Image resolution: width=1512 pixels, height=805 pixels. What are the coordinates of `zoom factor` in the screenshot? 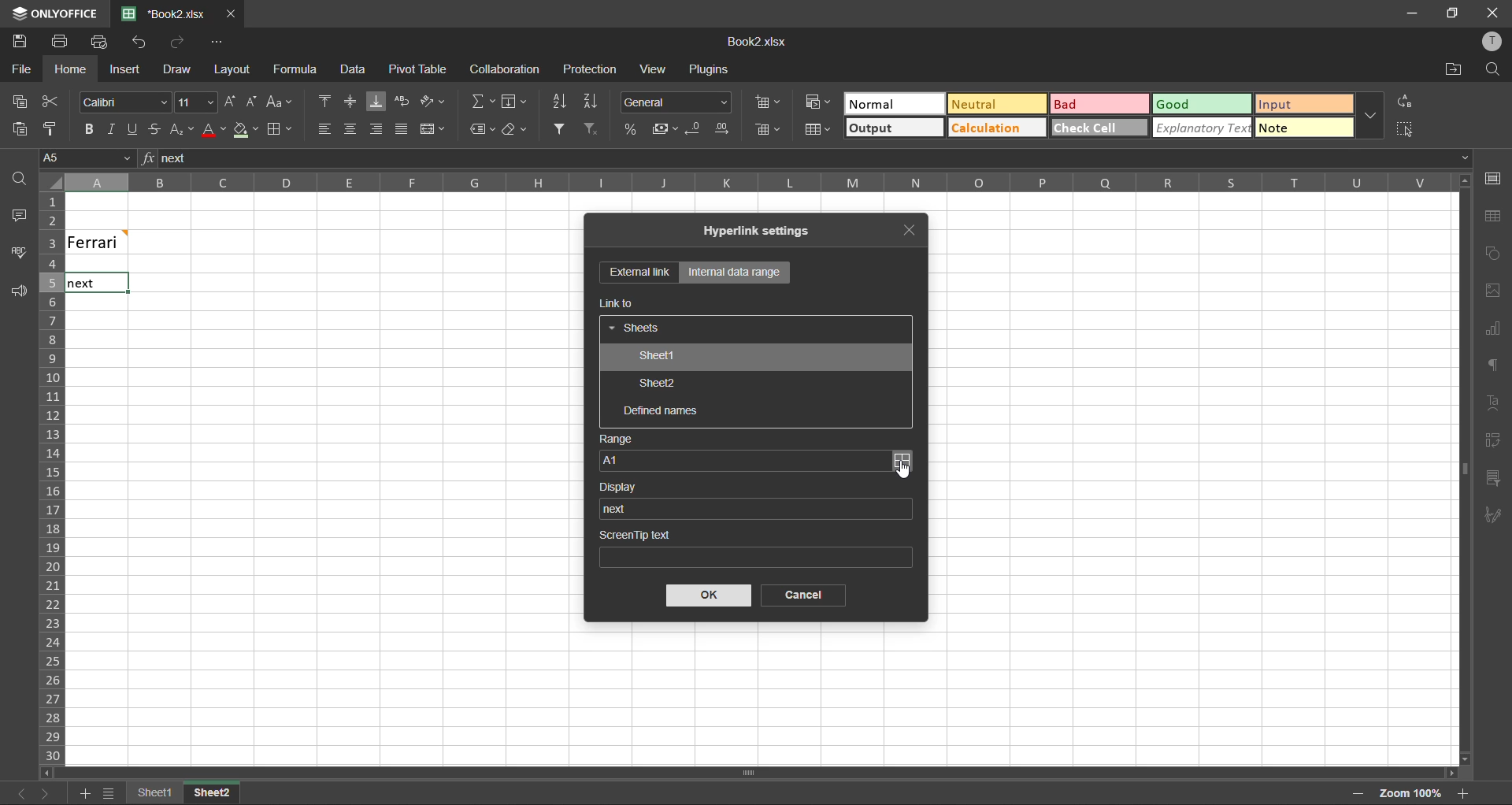 It's located at (1408, 792).